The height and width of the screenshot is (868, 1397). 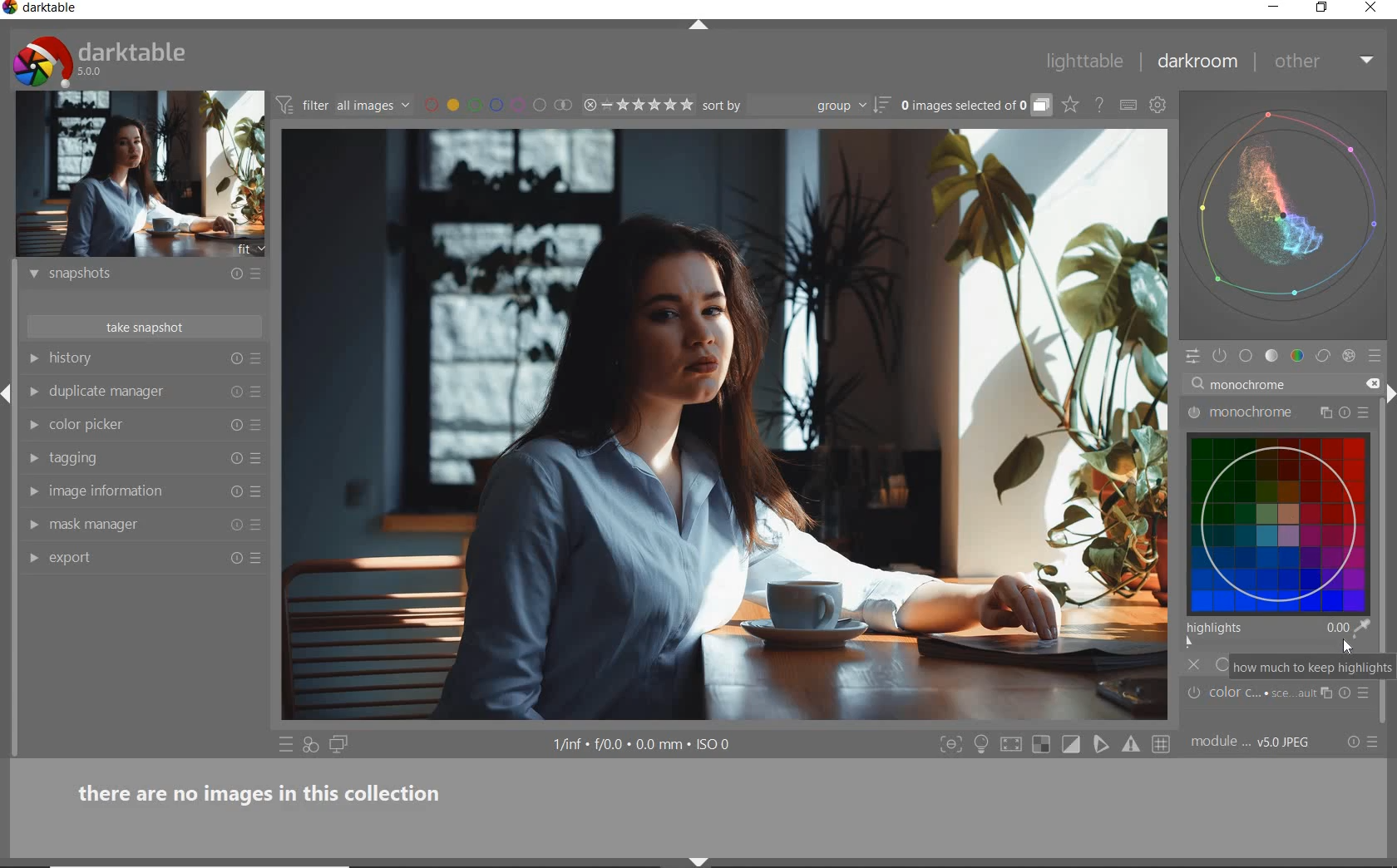 I want to click on presets, so click(x=1365, y=691).